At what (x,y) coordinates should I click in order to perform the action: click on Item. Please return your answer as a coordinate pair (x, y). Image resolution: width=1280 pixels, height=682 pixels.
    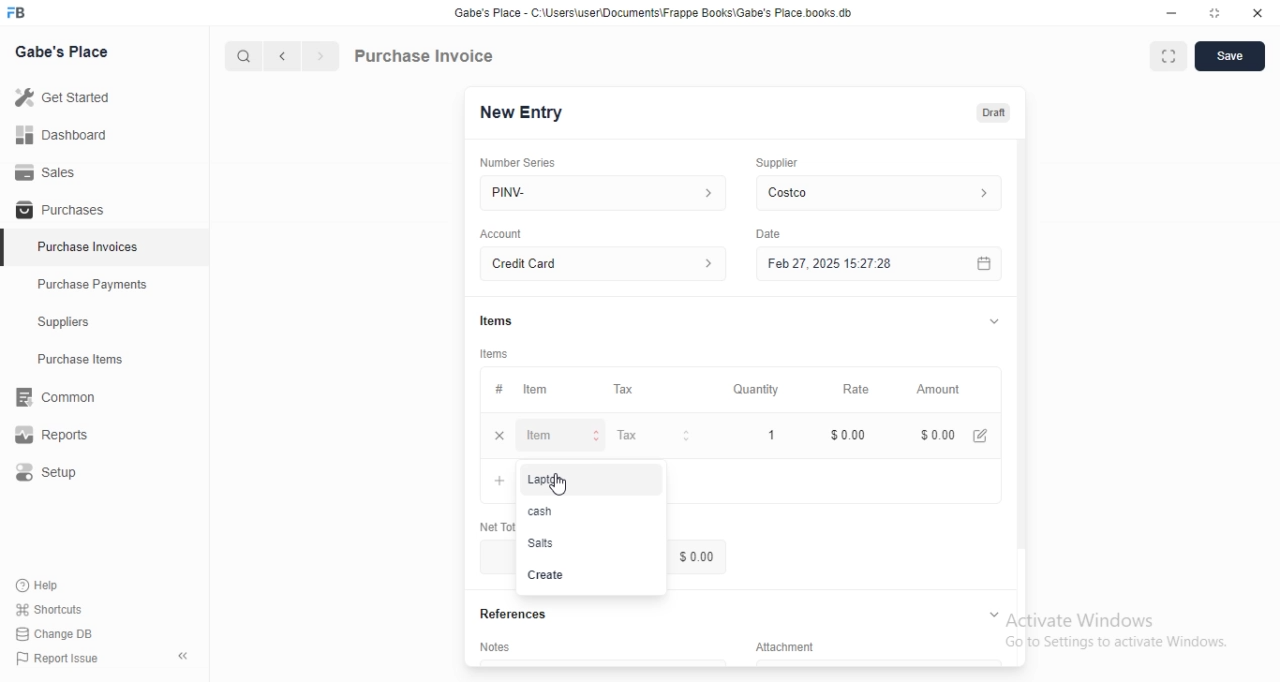
    Looking at the image, I should click on (559, 435).